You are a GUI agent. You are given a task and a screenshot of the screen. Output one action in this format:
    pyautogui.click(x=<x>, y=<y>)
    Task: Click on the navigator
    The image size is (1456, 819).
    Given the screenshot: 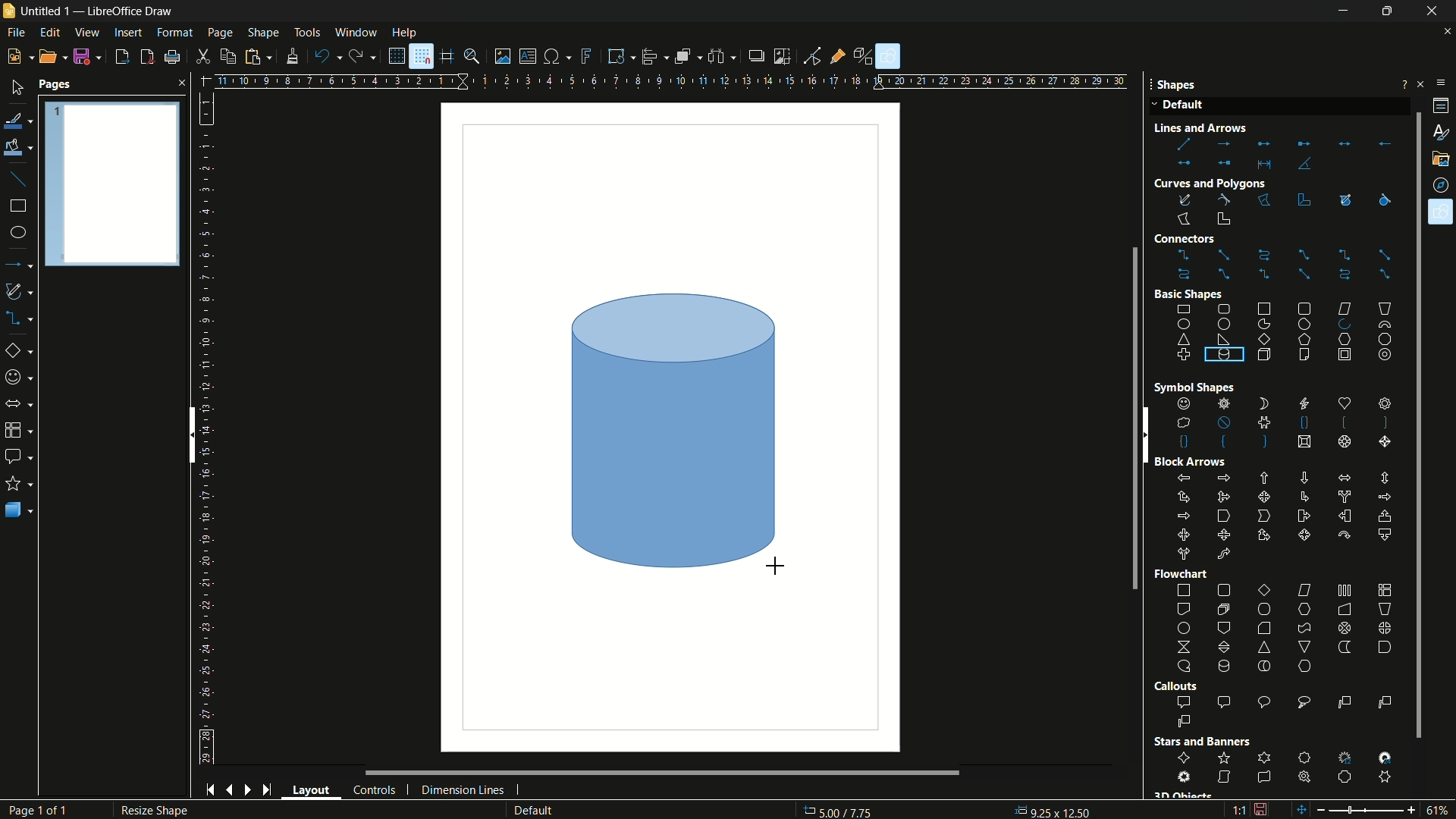 What is the action you would take?
    pyautogui.click(x=1442, y=185)
    